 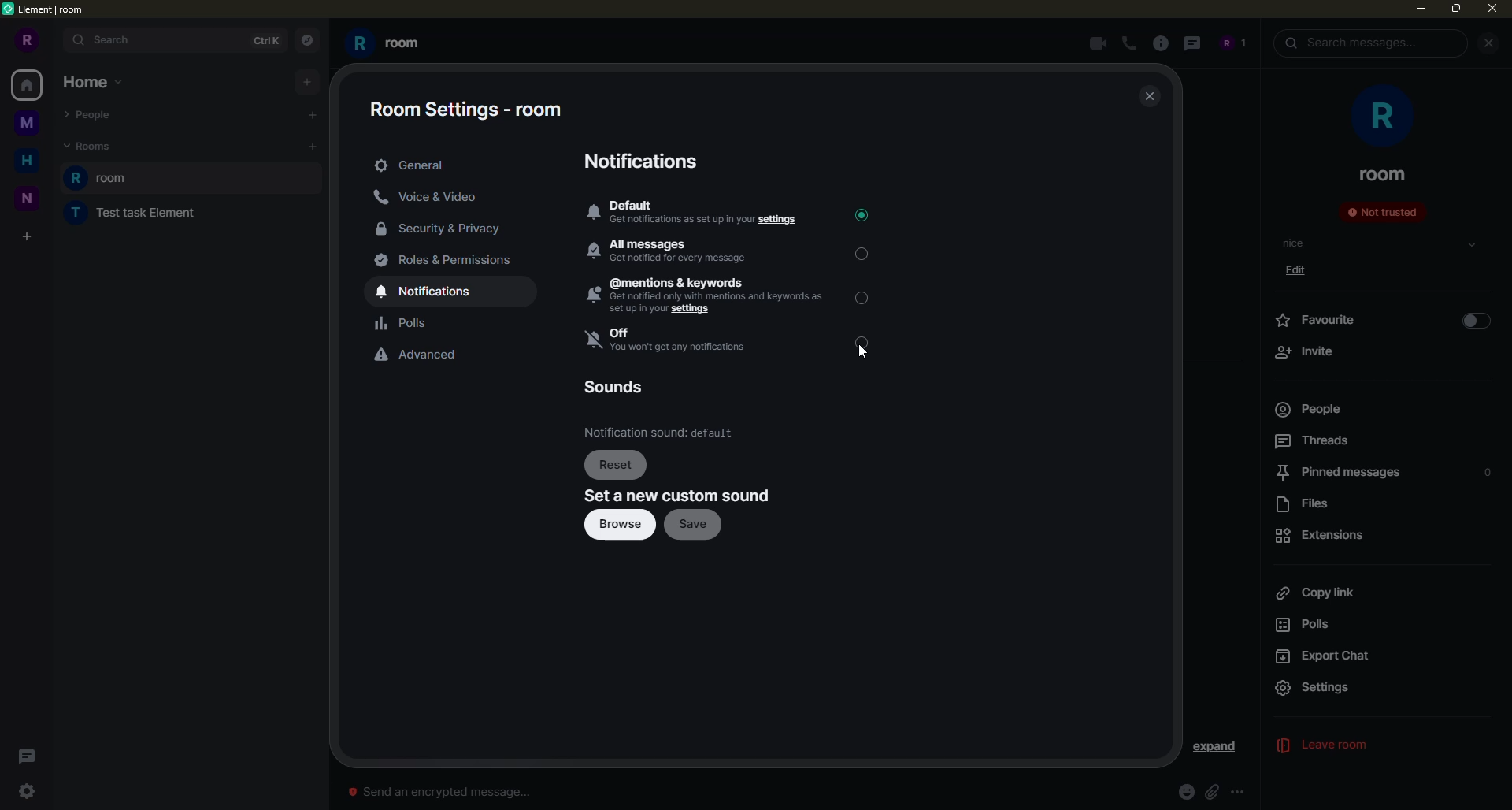 I want to click on default, so click(x=660, y=433).